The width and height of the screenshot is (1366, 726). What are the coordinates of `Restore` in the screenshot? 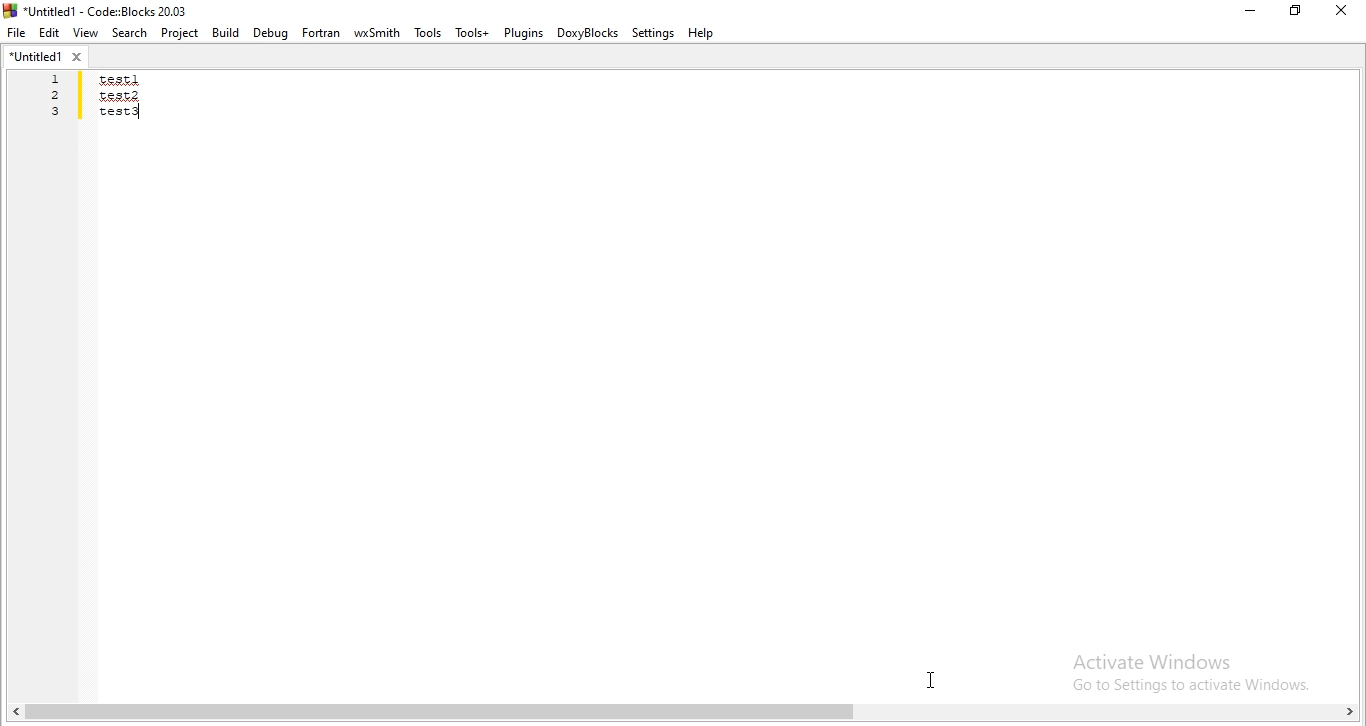 It's located at (1297, 10).